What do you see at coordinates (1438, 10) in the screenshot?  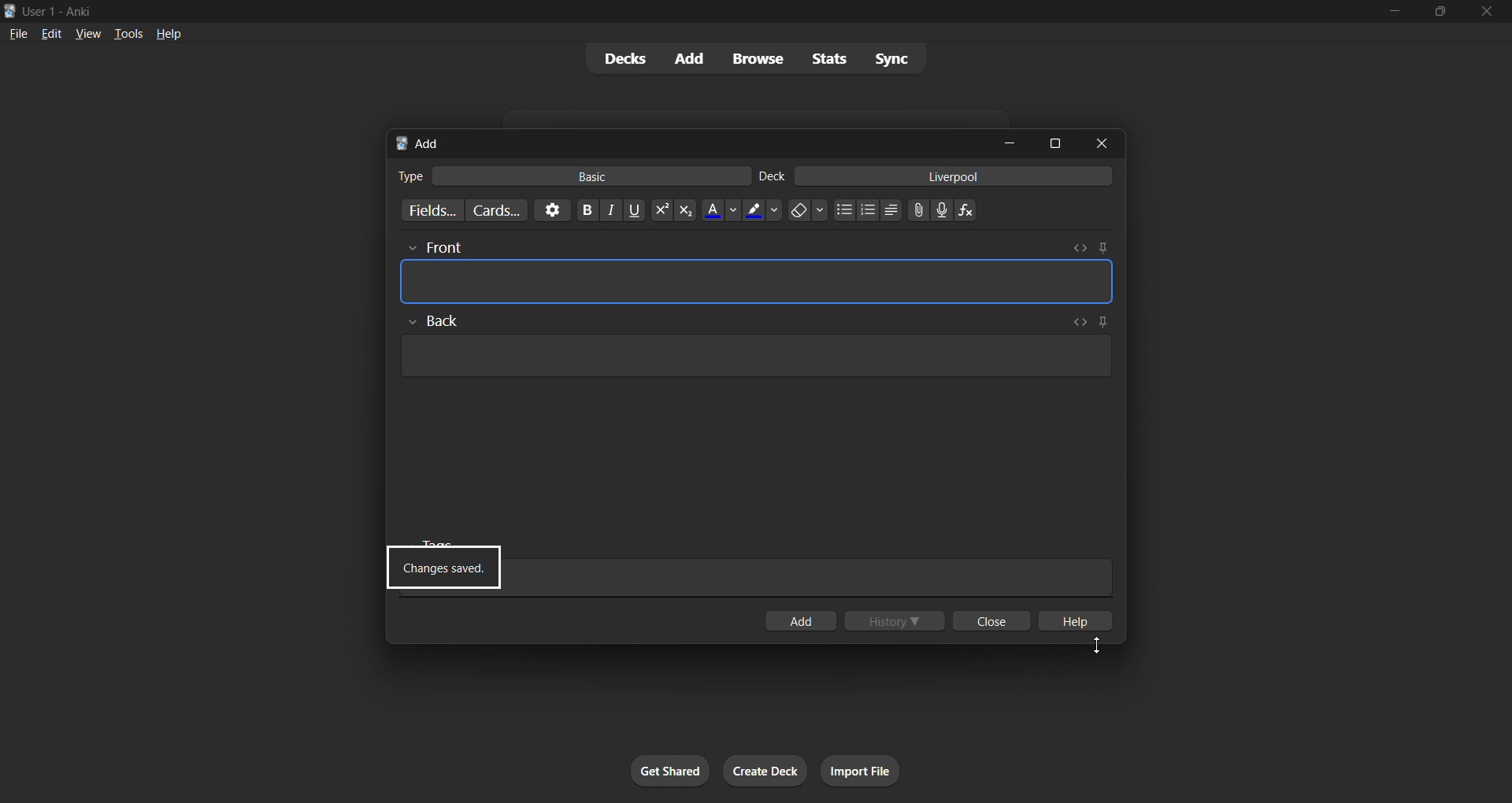 I see `maximize/restore` at bounding box center [1438, 10].